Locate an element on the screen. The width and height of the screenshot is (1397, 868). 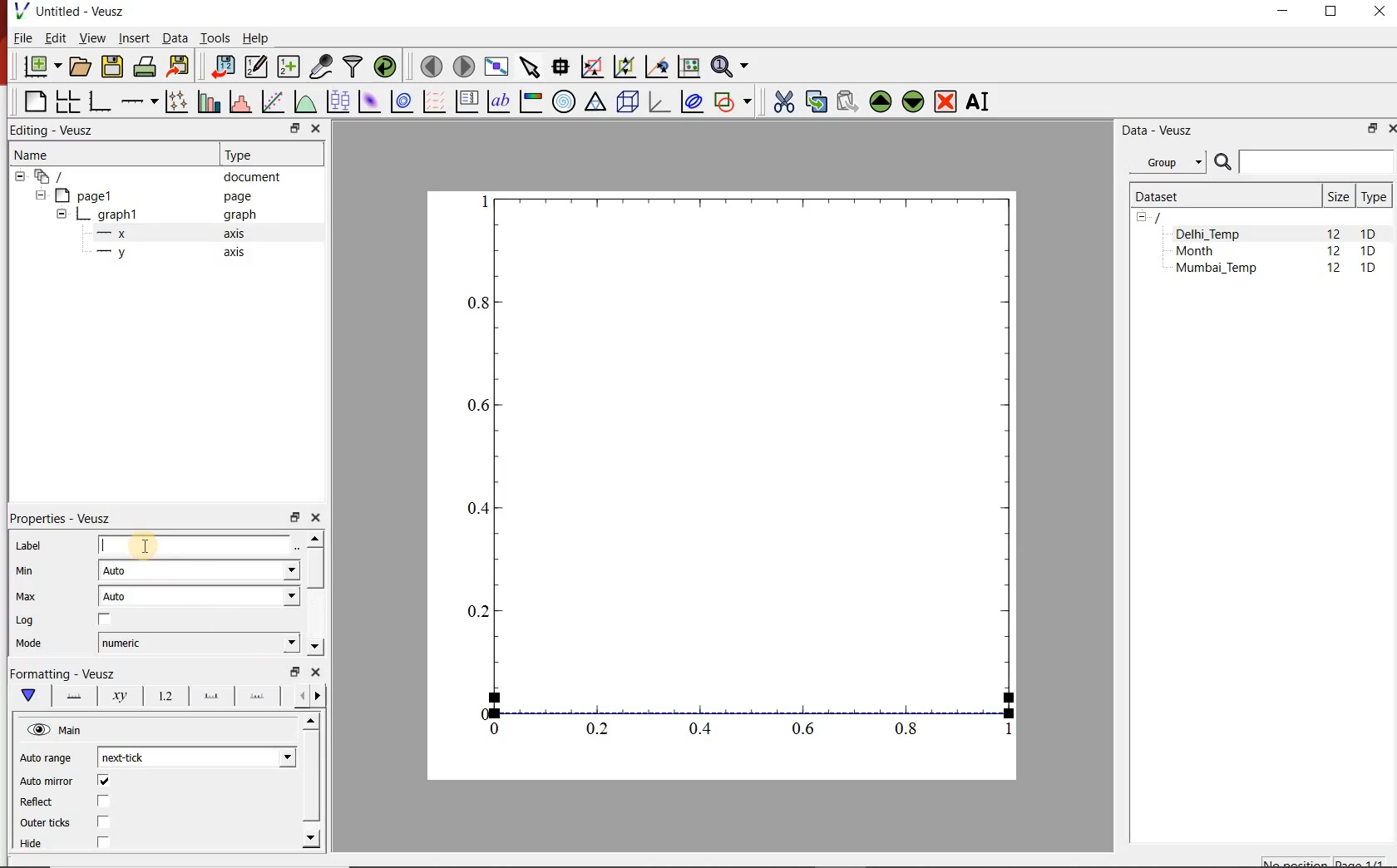
scrollbar is located at coordinates (314, 594).